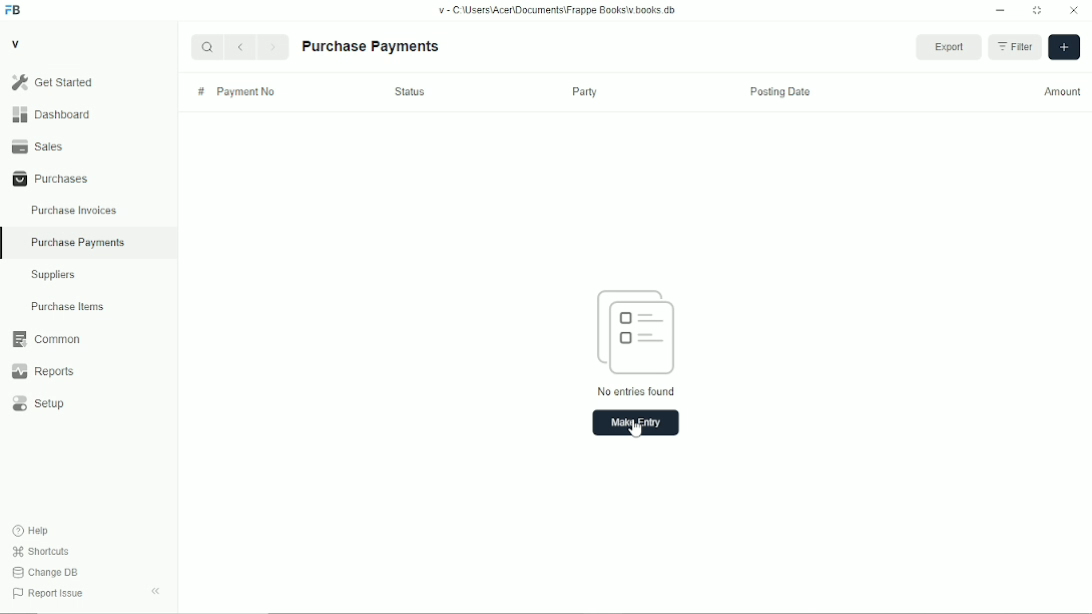 This screenshot has width=1092, height=614. Describe the element at coordinates (1064, 47) in the screenshot. I see `Add new Purchase Invoice` at that location.